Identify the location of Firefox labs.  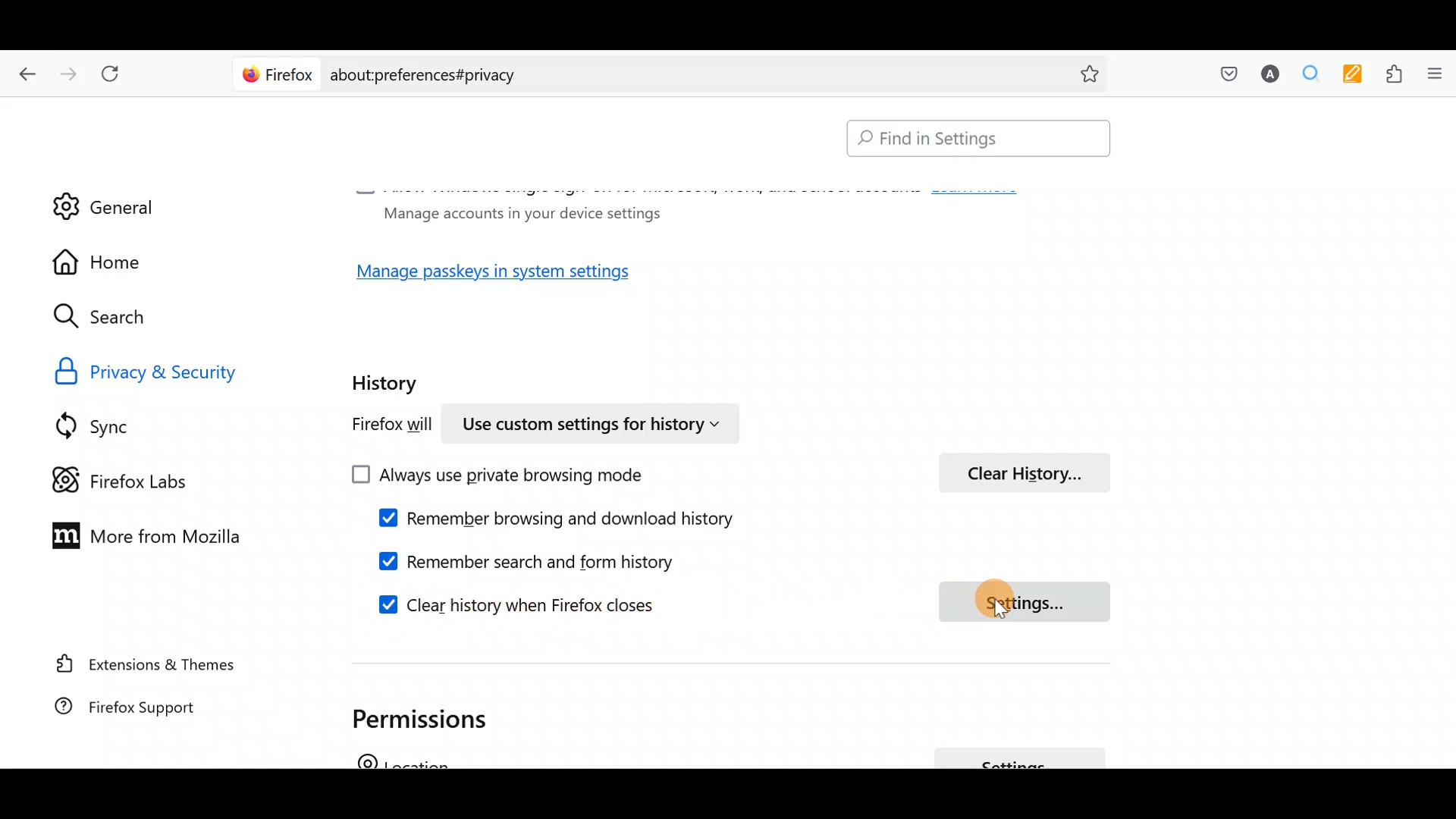
(133, 479).